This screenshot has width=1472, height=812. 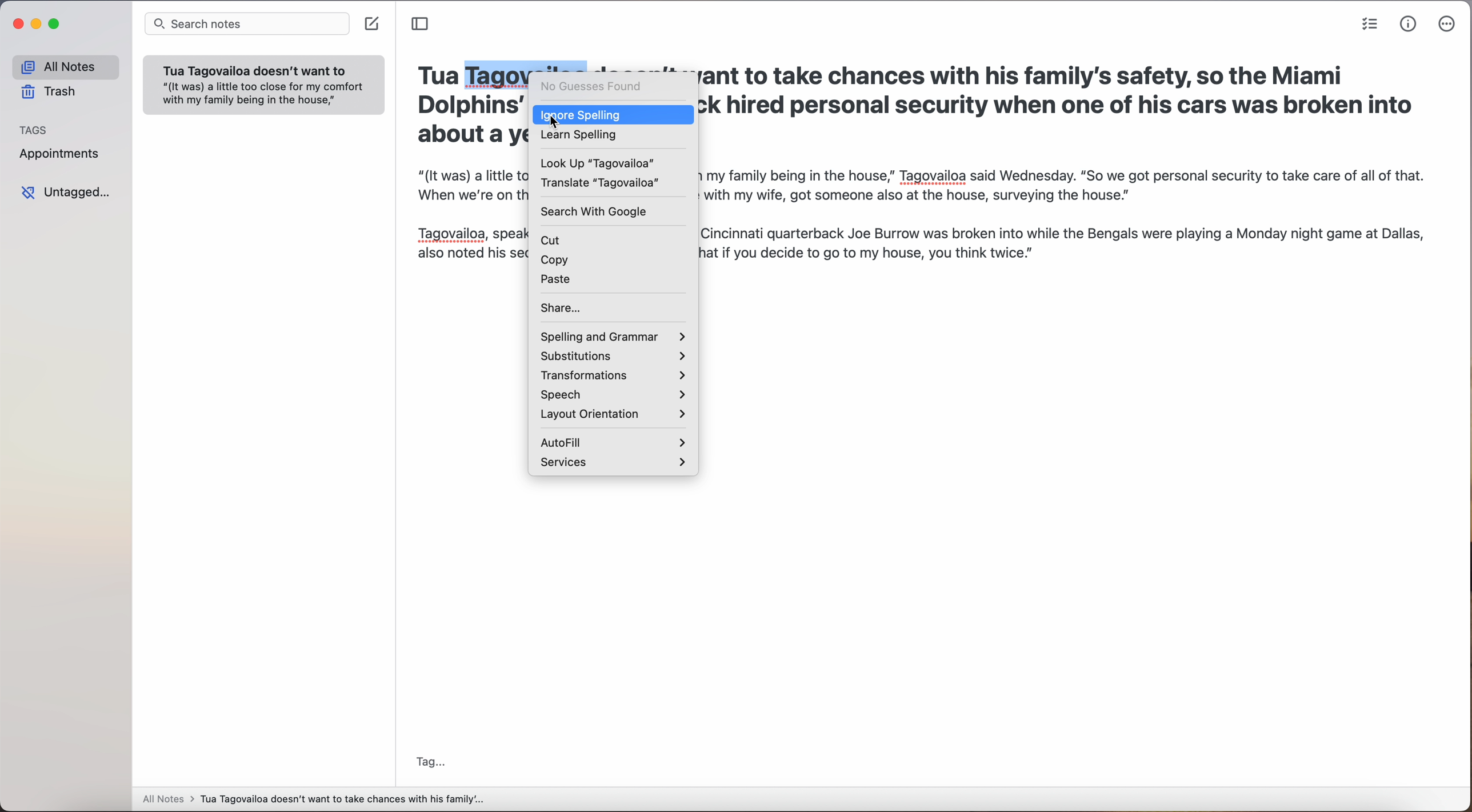 I want to click on spelling and grammar, so click(x=613, y=332).